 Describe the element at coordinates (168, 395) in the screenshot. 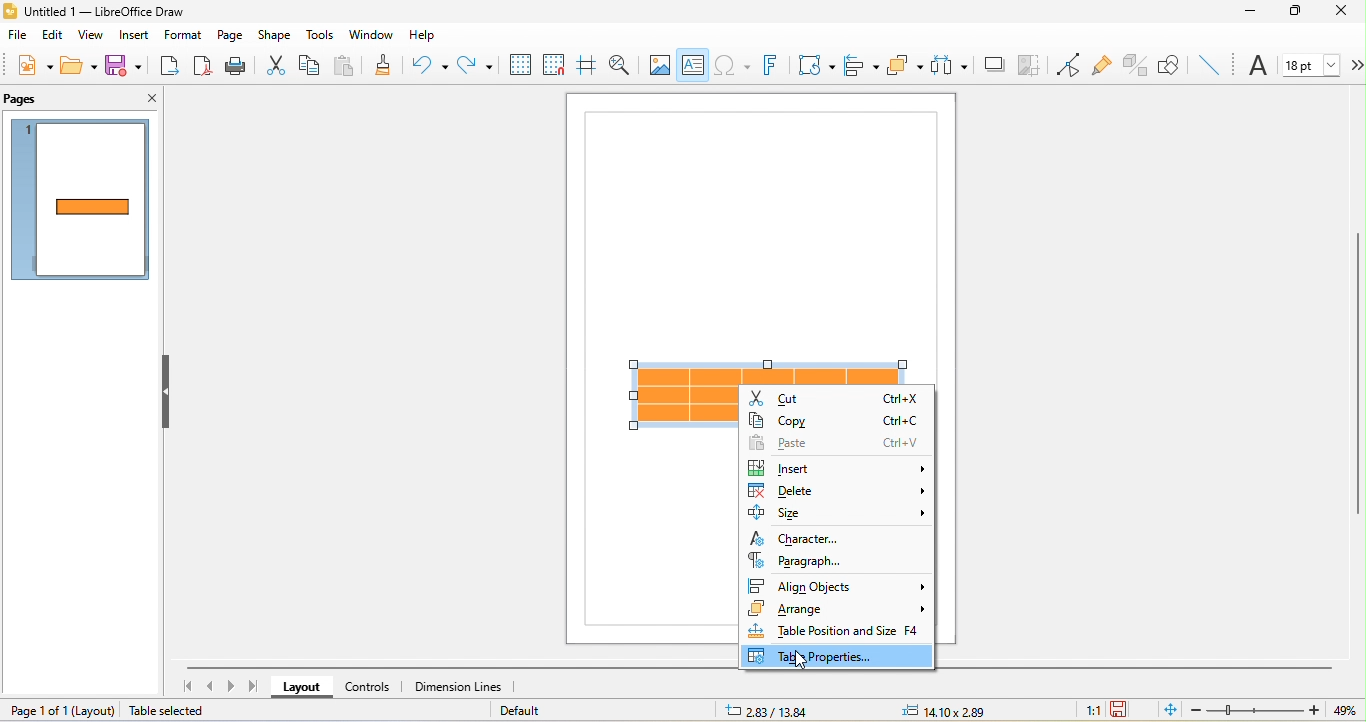

I see `hide` at that location.